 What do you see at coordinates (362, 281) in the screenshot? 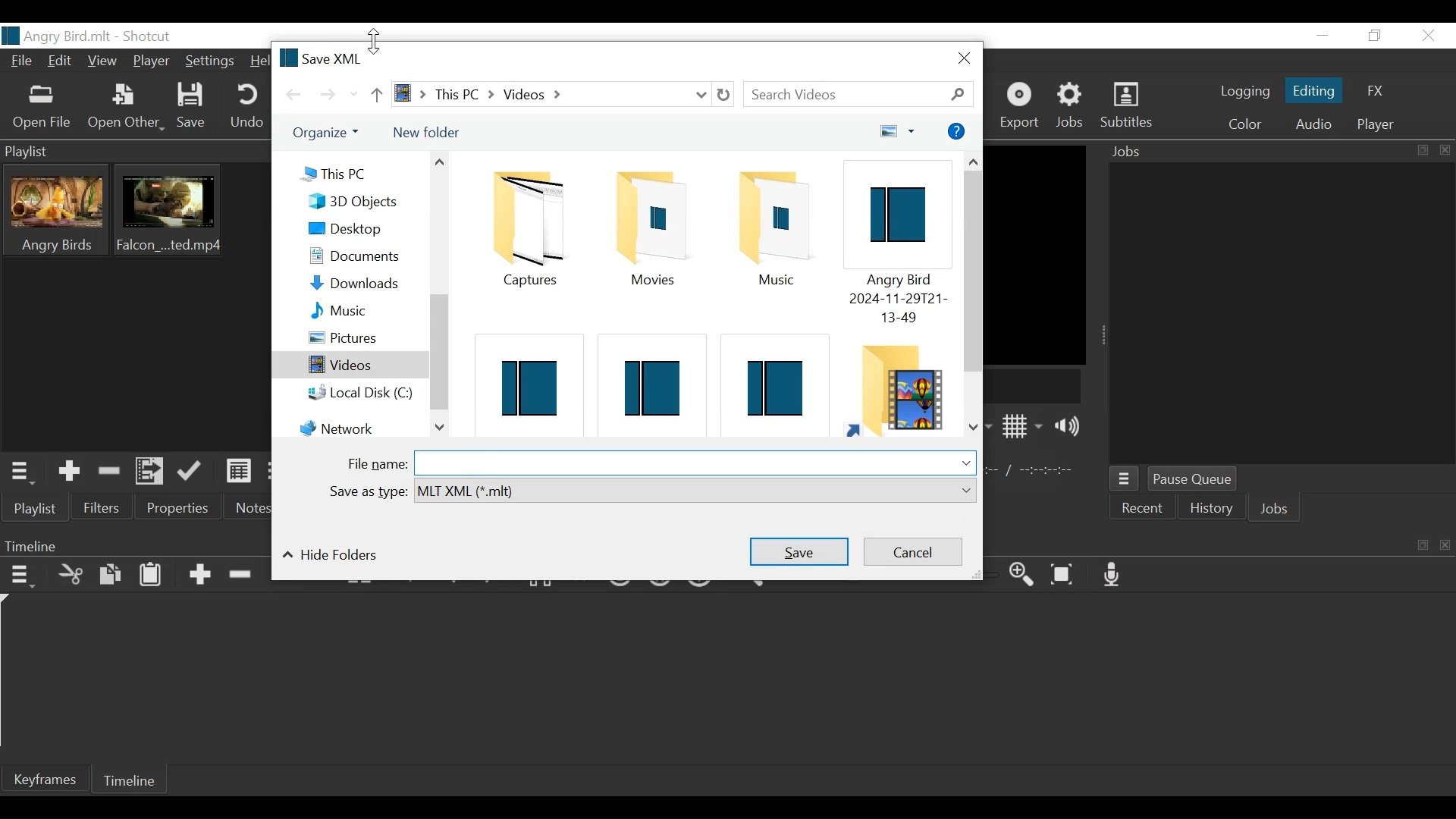
I see `Downloads` at bounding box center [362, 281].